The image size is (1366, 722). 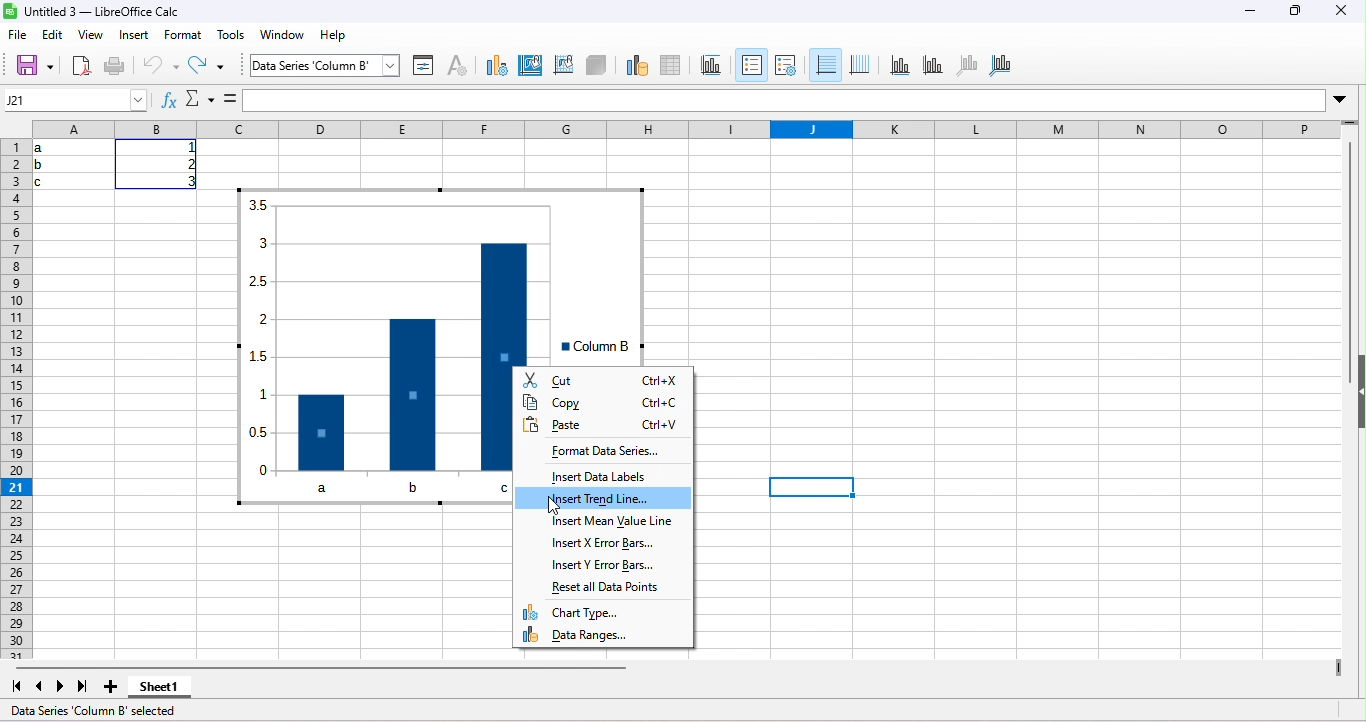 What do you see at coordinates (12, 398) in the screenshot?
I see `rows` at bounding box center [12, 398].